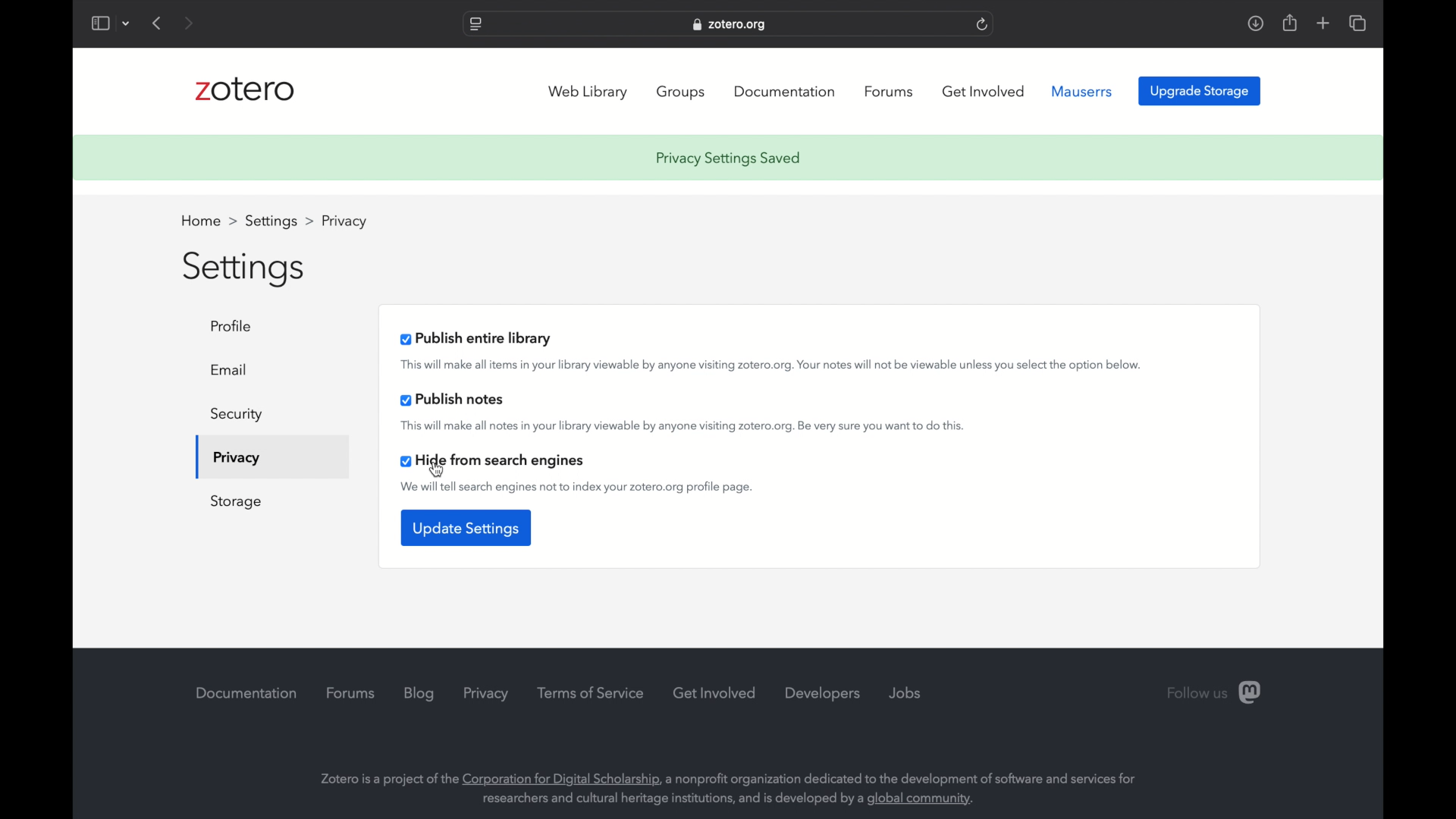  Describe the element at coordinates (246, 694) in the screenshot. I see `documentation` at that location.